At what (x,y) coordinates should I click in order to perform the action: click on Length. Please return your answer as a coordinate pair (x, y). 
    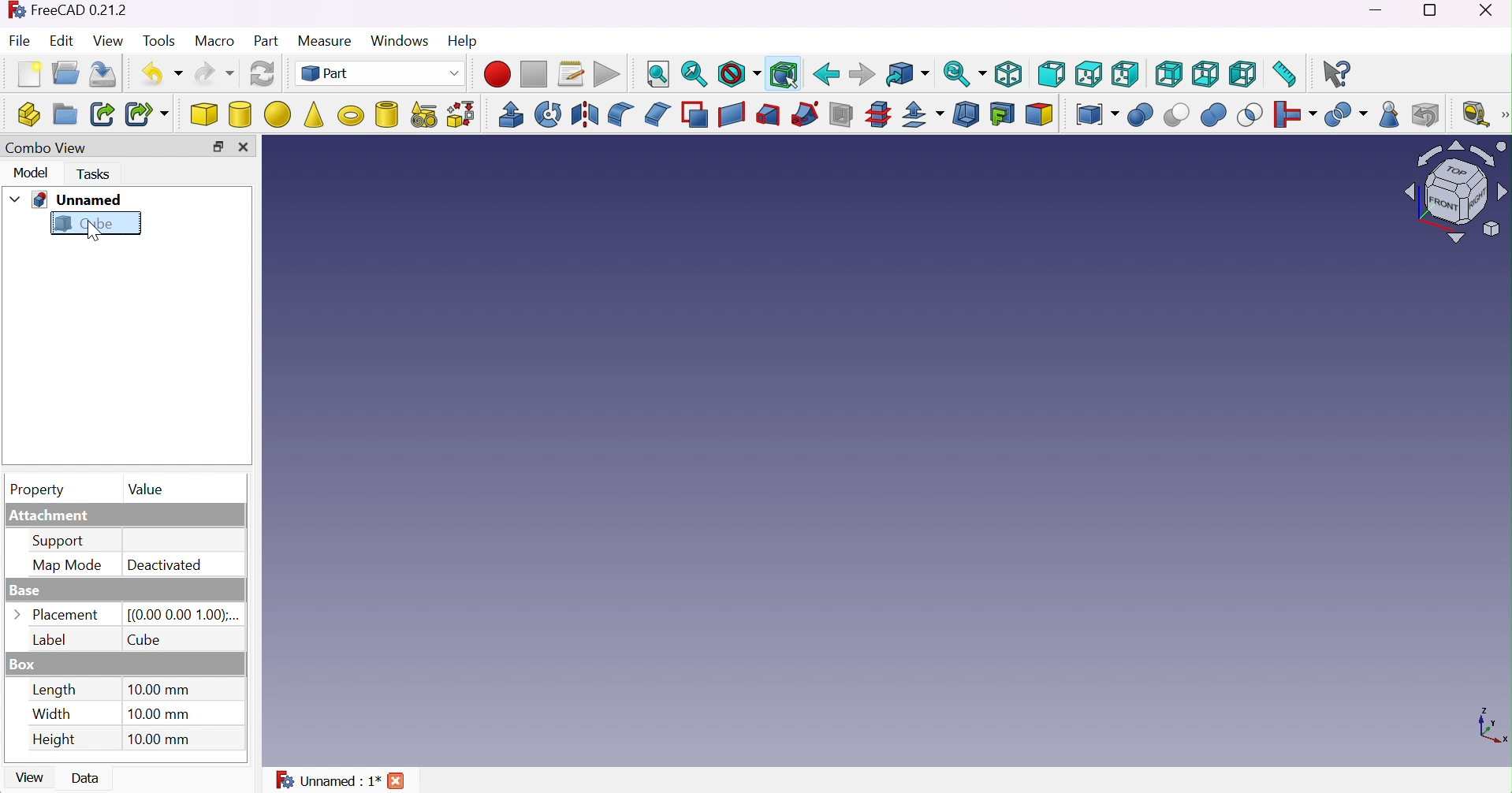
    Looking at the image, I should click on (55, 690).